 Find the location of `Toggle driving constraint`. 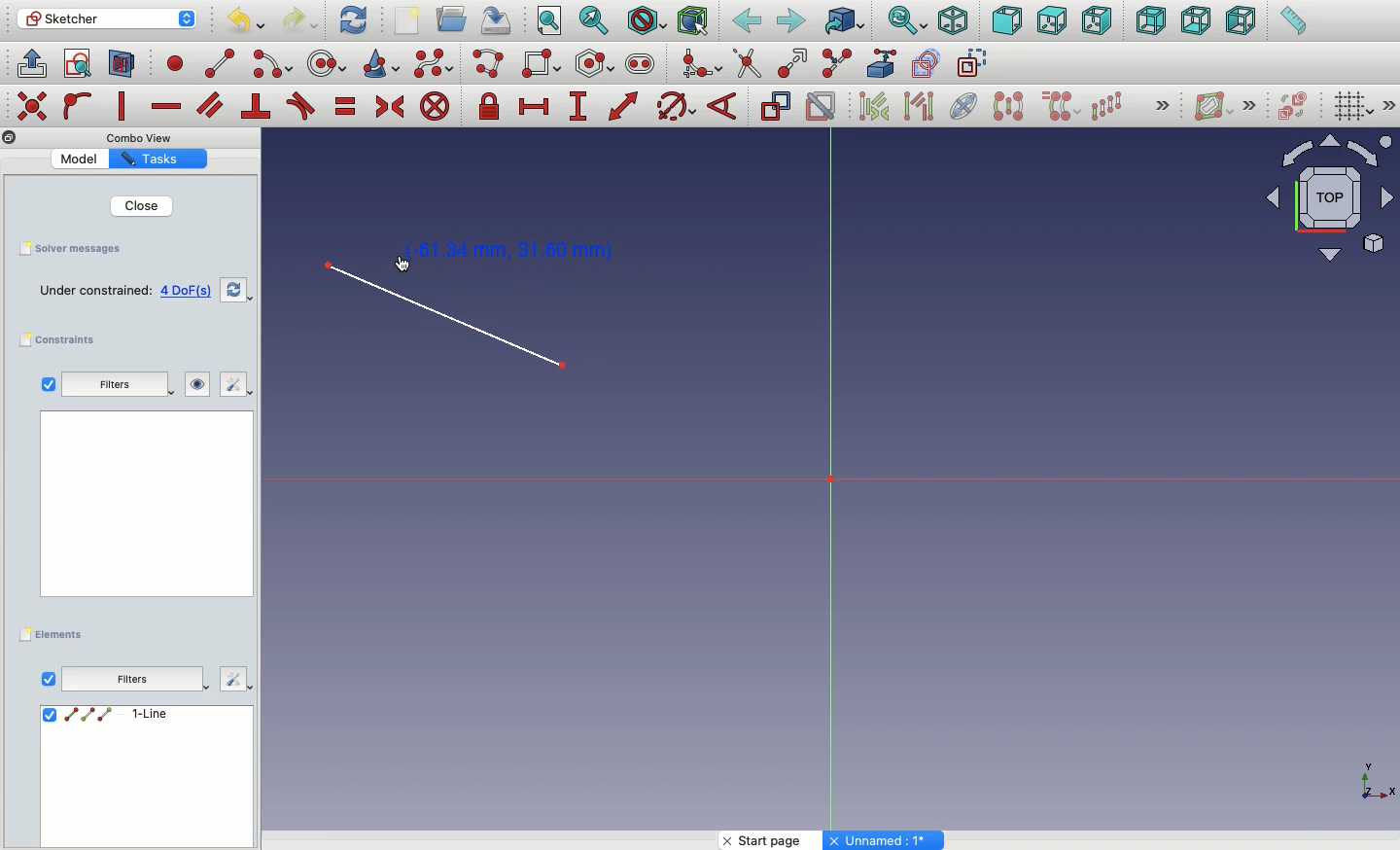

Toggle driving constraint is located at coordinates (775, 106).